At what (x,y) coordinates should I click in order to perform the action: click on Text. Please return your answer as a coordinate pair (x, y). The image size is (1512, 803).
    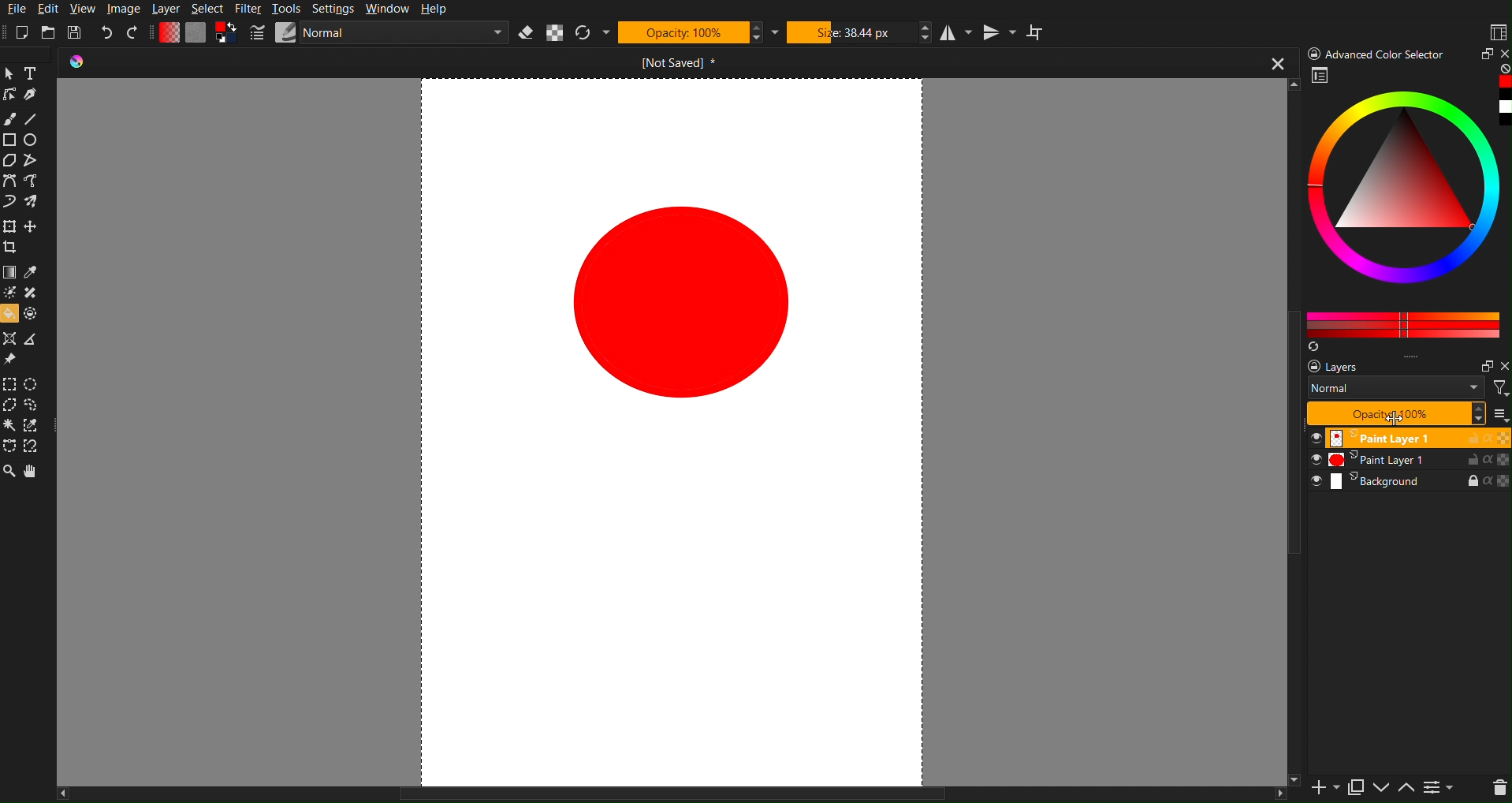
    Looking at the image, I should click on (36, 73).